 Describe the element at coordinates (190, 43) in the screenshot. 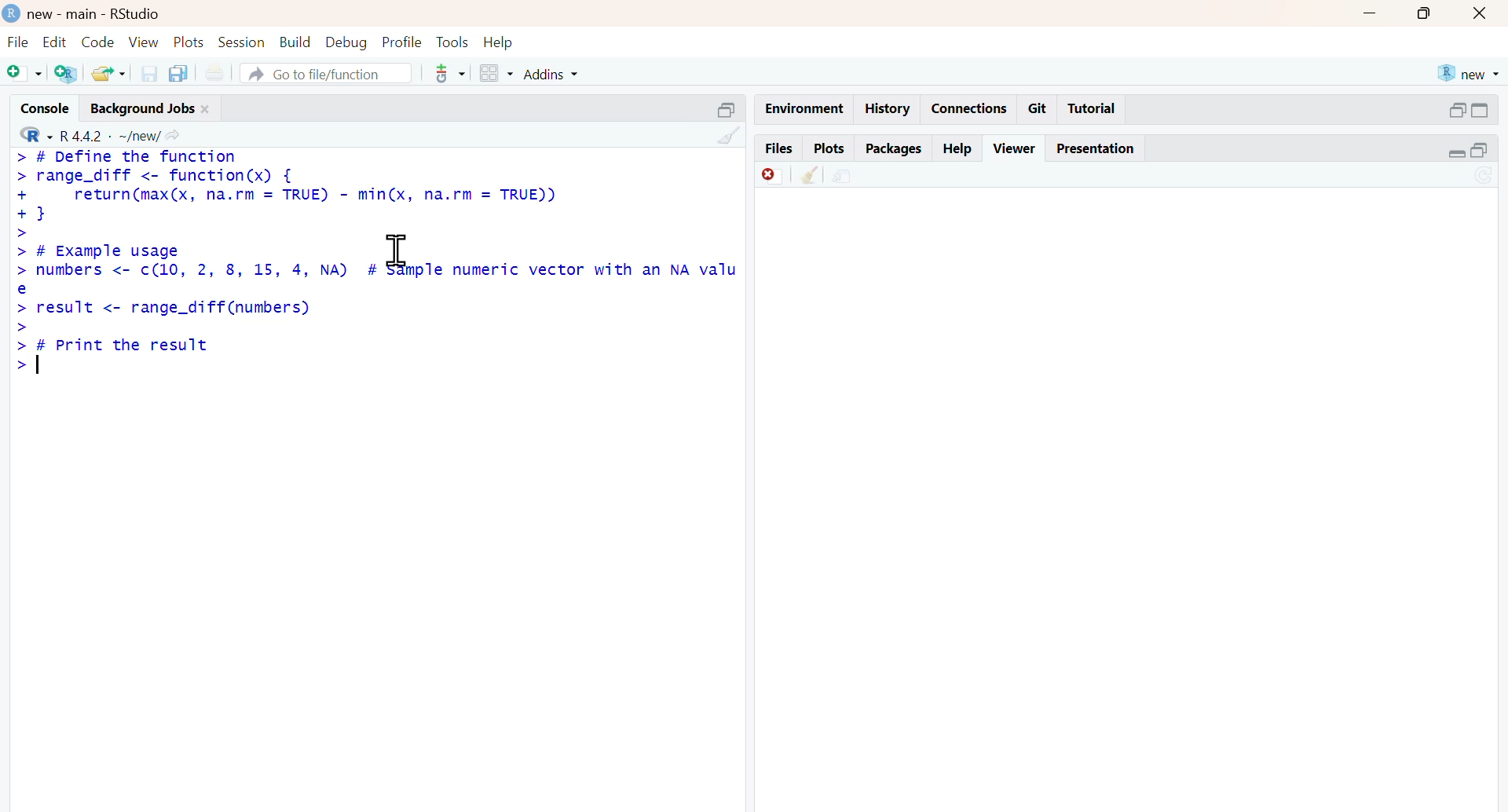

I see `plots` at that location.